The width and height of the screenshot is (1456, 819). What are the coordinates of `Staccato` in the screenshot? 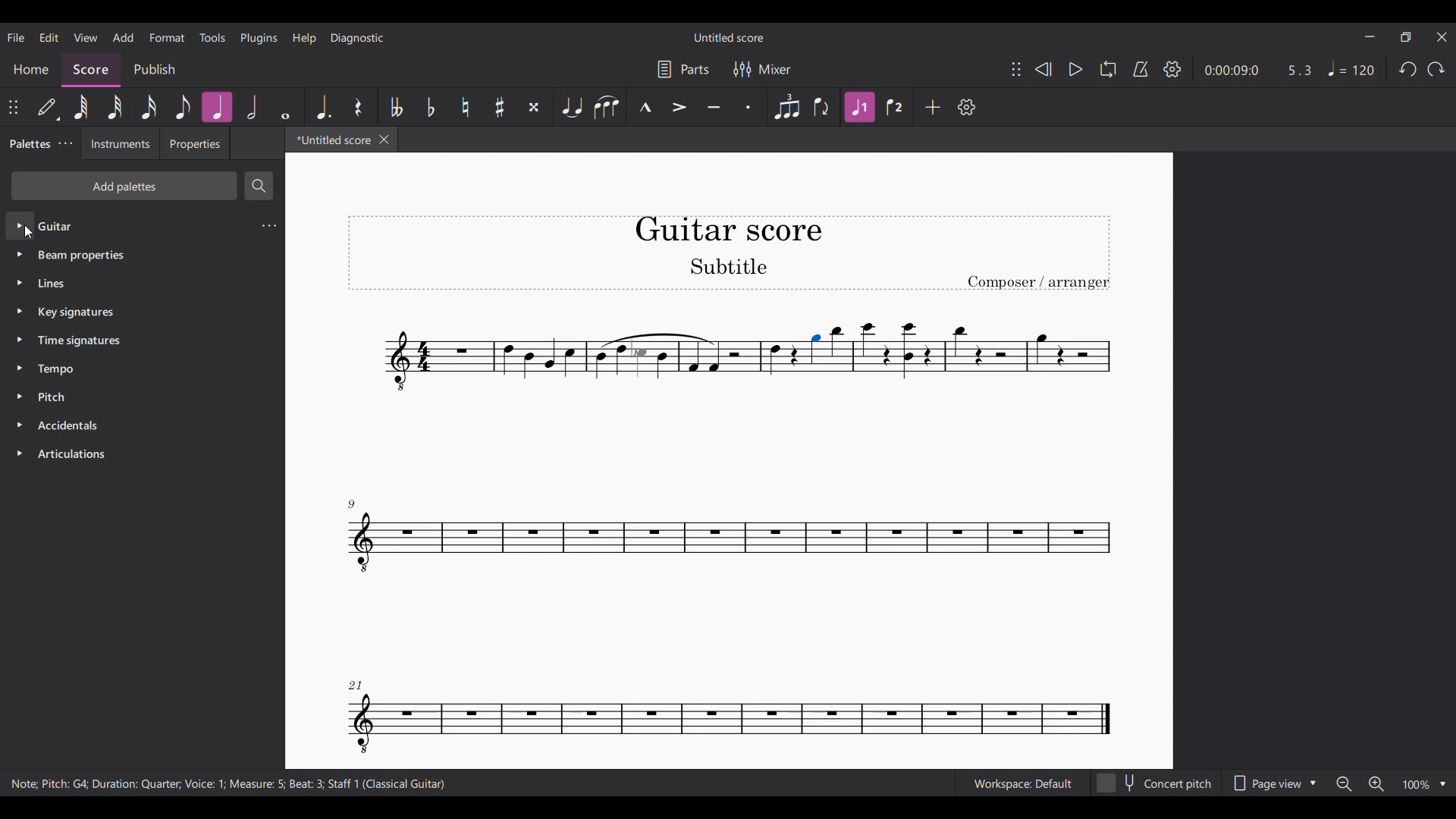 It's located at (748, 107).